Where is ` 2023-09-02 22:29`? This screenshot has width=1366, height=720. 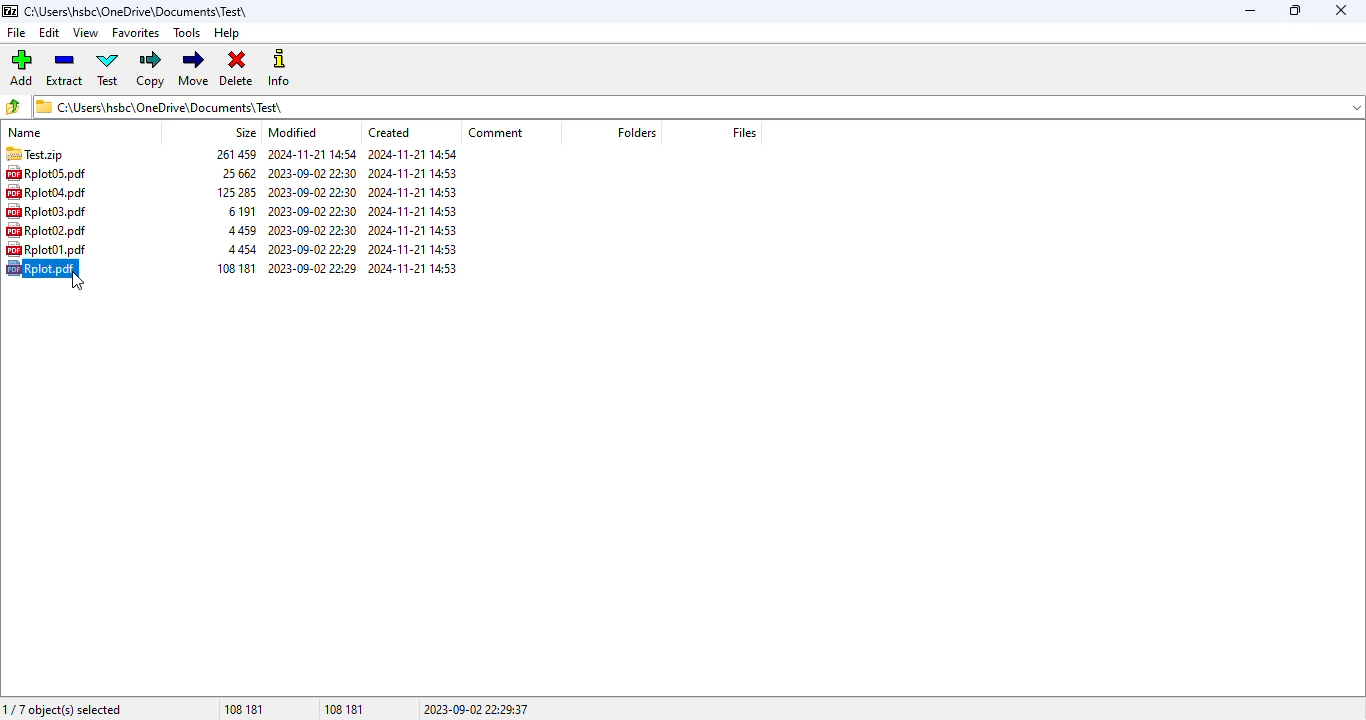  2023-09-02 22:29 is located at coordinates (310, 248).